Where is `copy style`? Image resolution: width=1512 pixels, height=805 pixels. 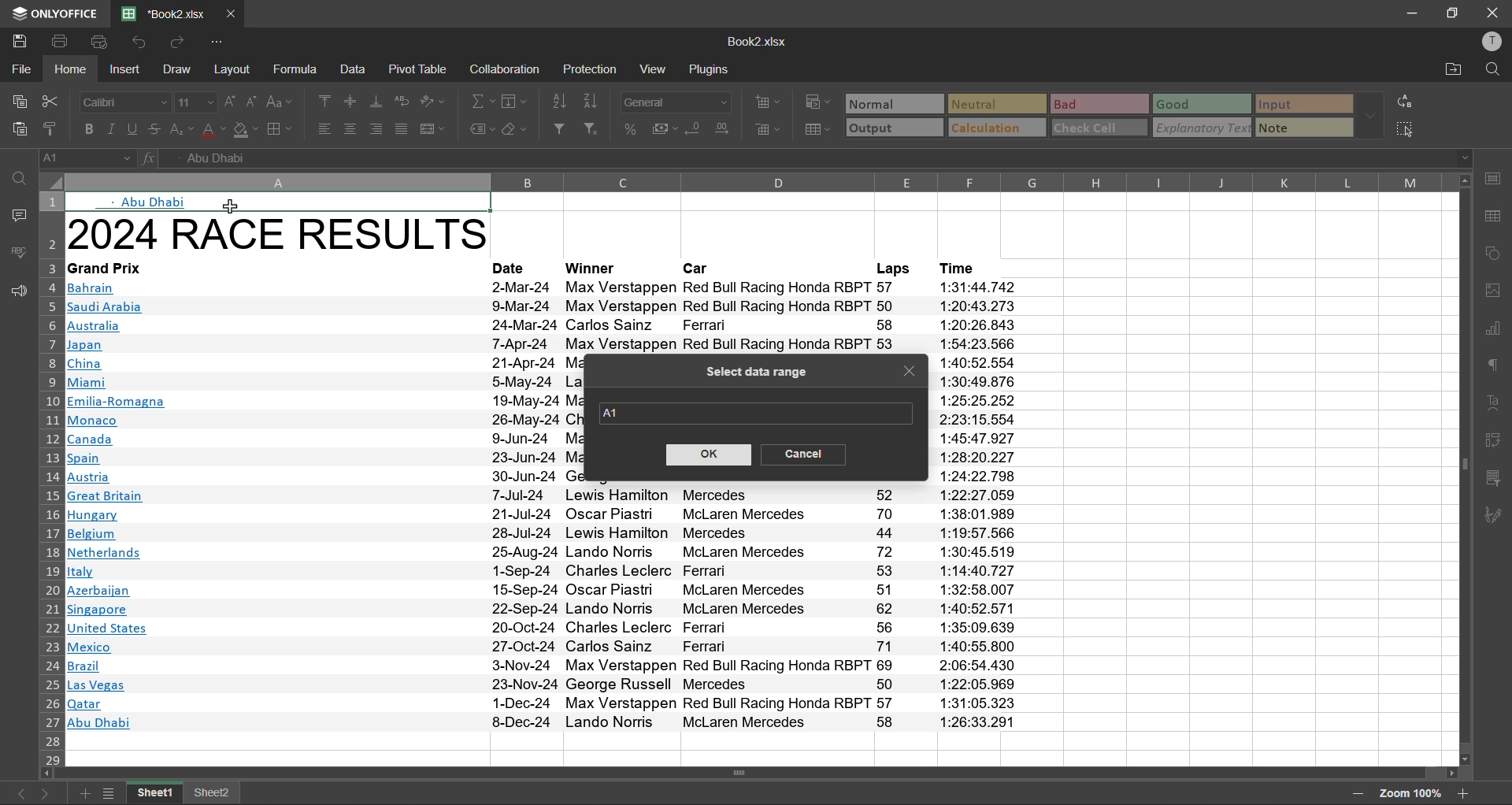 copy style is located at coordinates (54, 128).